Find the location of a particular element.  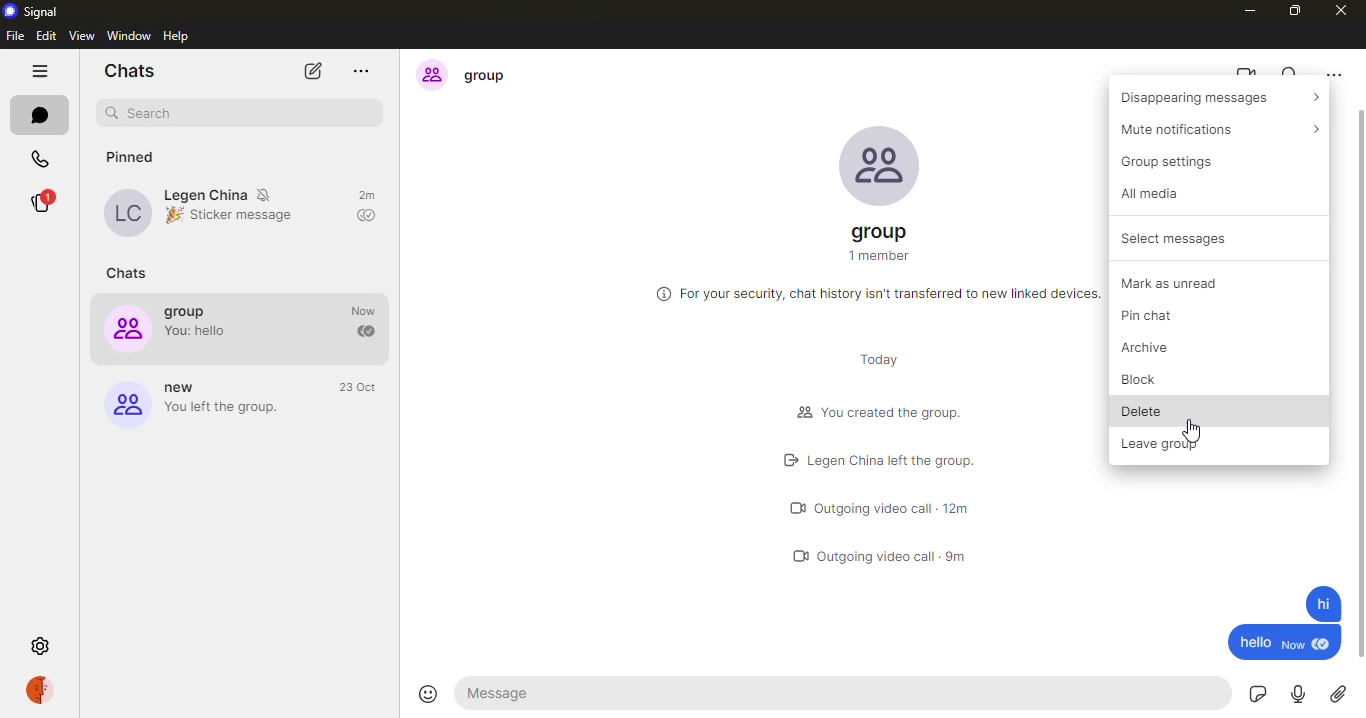

mute is located at coordinates (1212, 128).